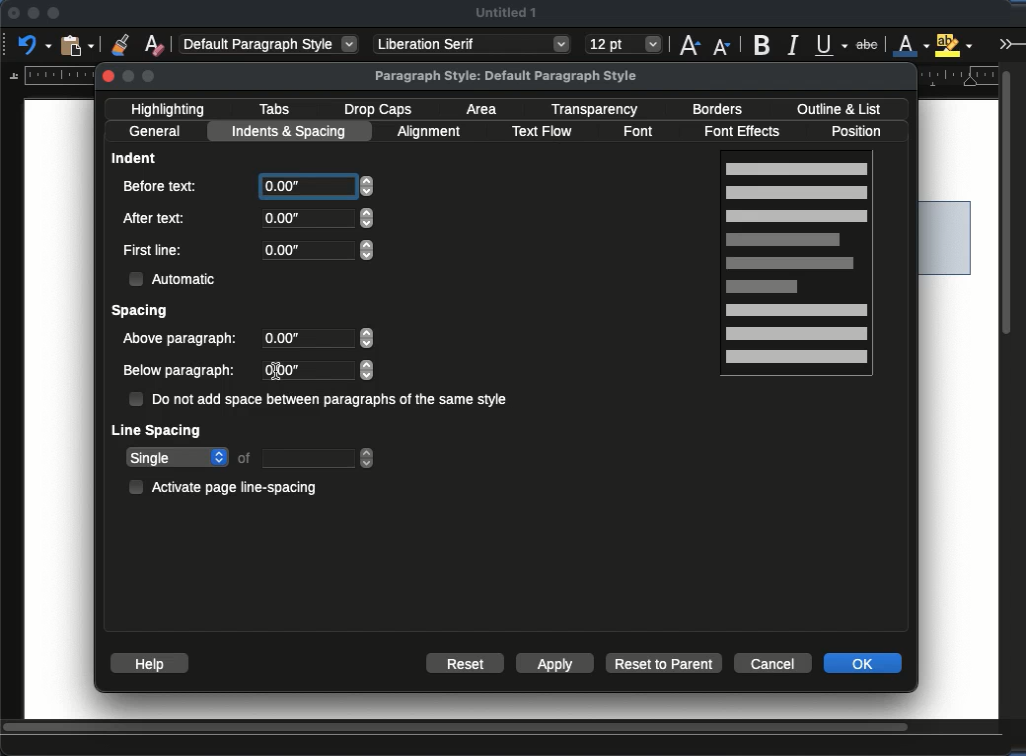  What do you see at coordinates (748, 132) in the screenshot?
I see `font effects` at bounding box center [748, 132].